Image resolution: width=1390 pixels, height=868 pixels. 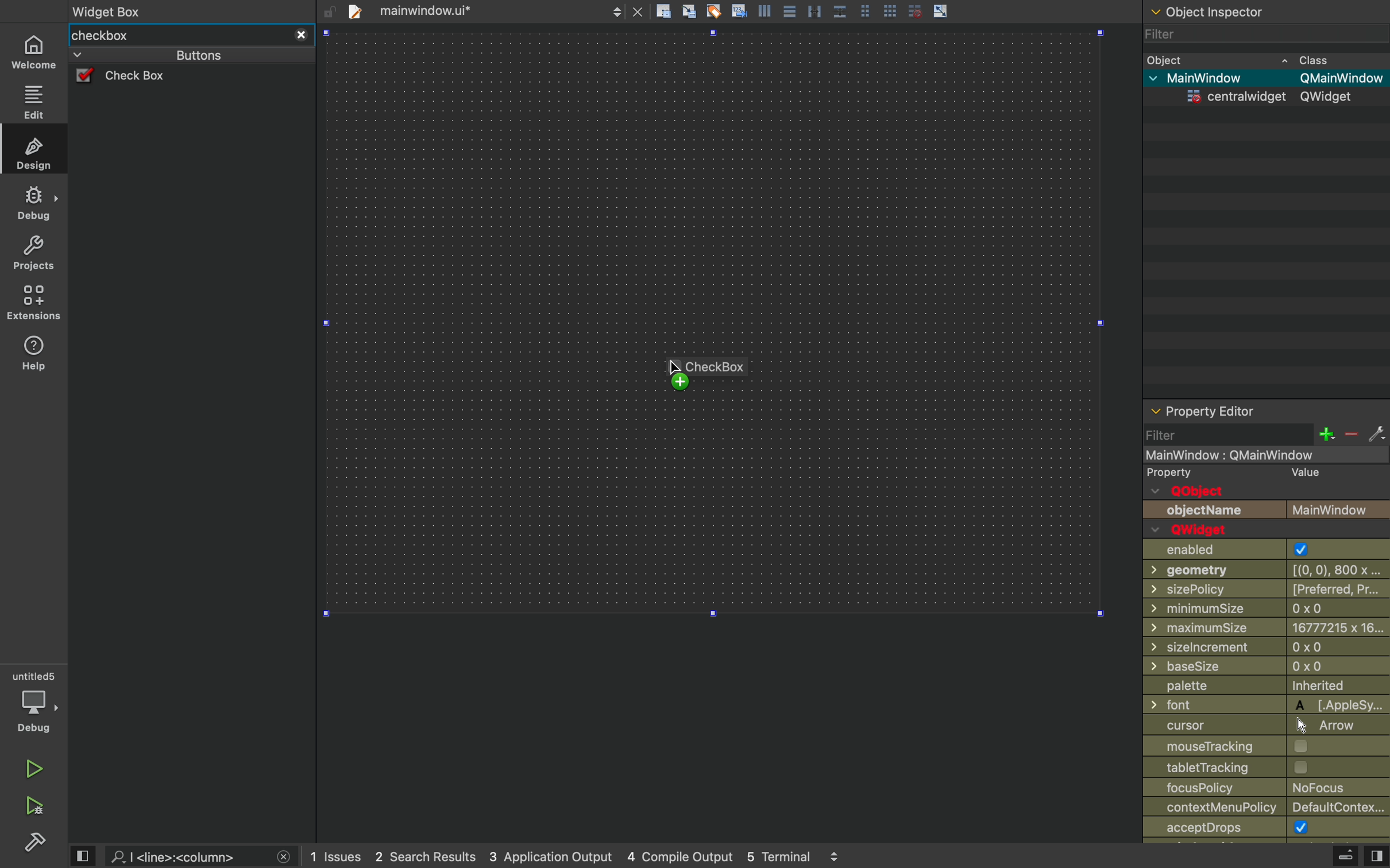 I want to click on disable grid snap, so click(x=913, y=10).